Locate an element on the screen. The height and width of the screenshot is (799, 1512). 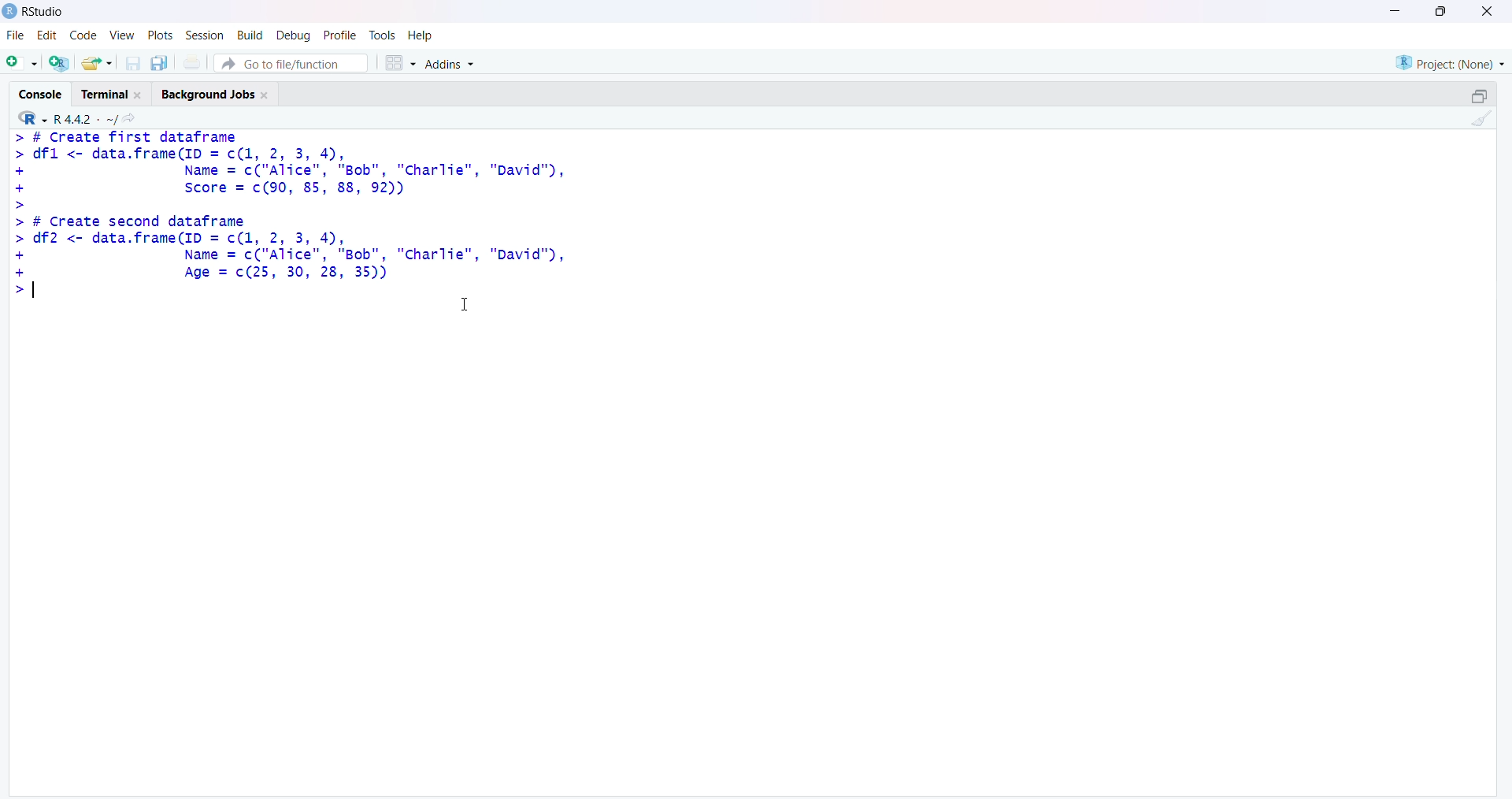
close is located at coordinates (1488, 11).